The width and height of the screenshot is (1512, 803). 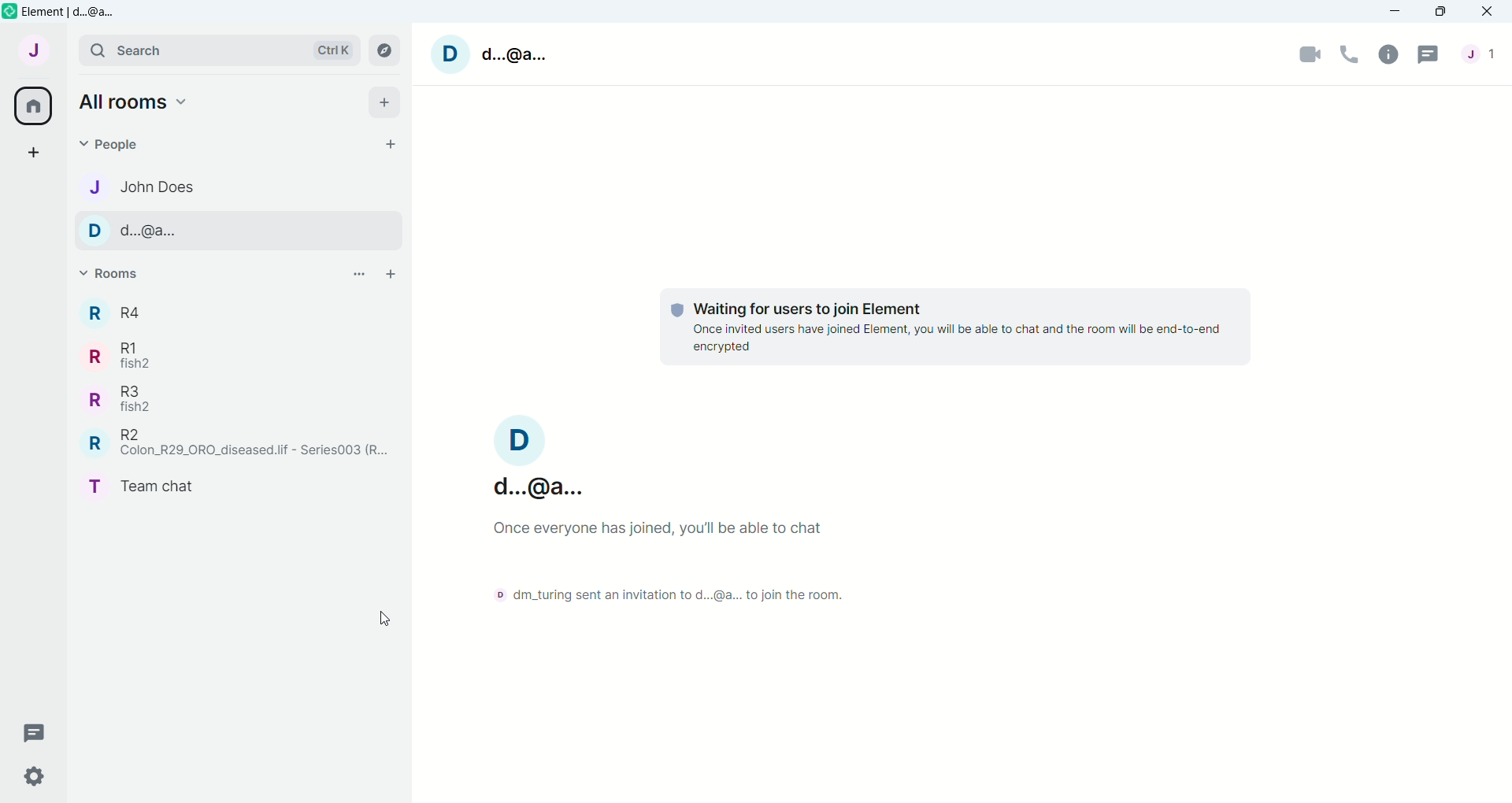 I want to click on All rooms, so click(x=32, y=105).